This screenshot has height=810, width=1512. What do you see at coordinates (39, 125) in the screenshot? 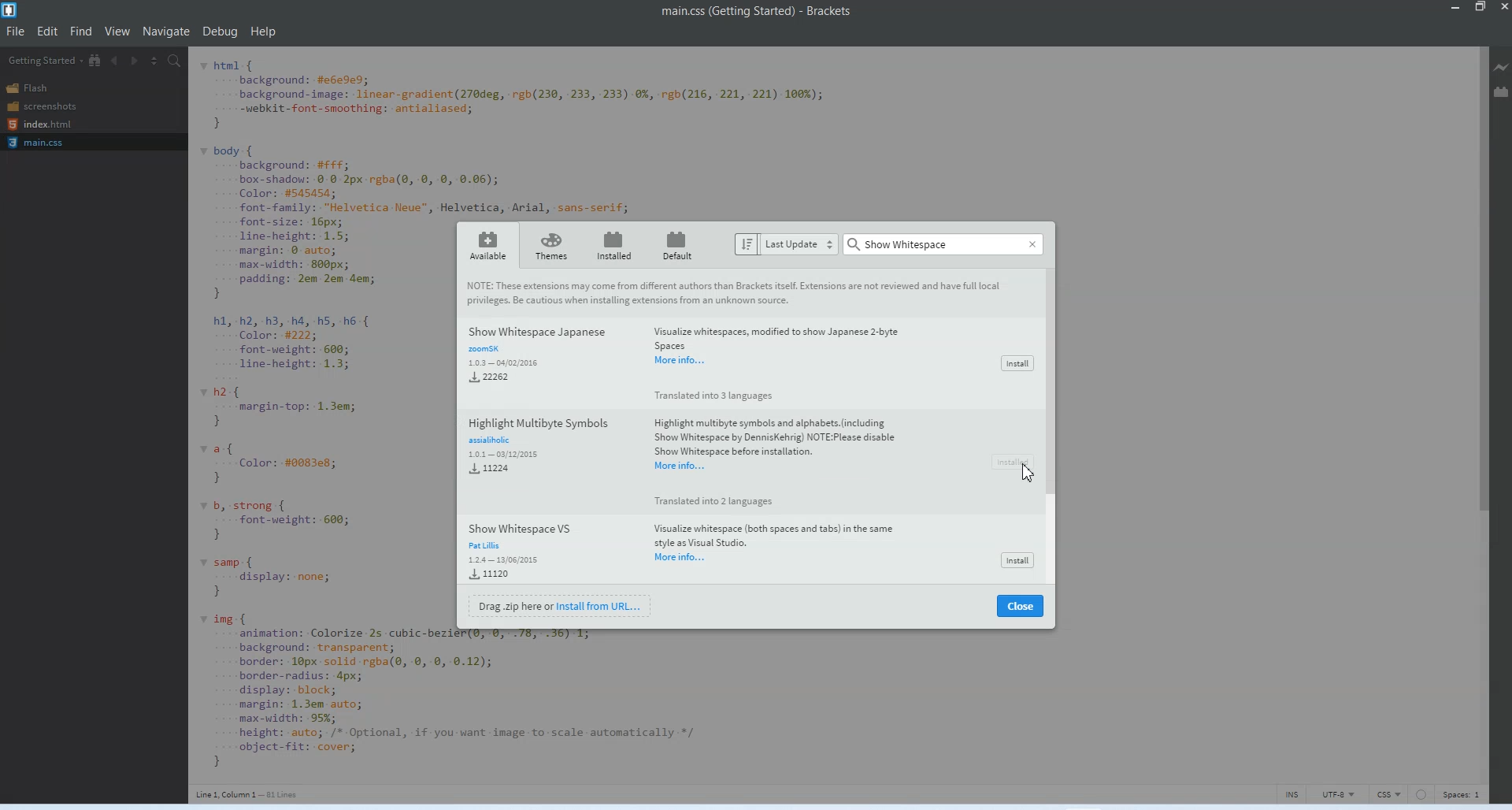
I see `Index.html` at bounding box center [39, 125].